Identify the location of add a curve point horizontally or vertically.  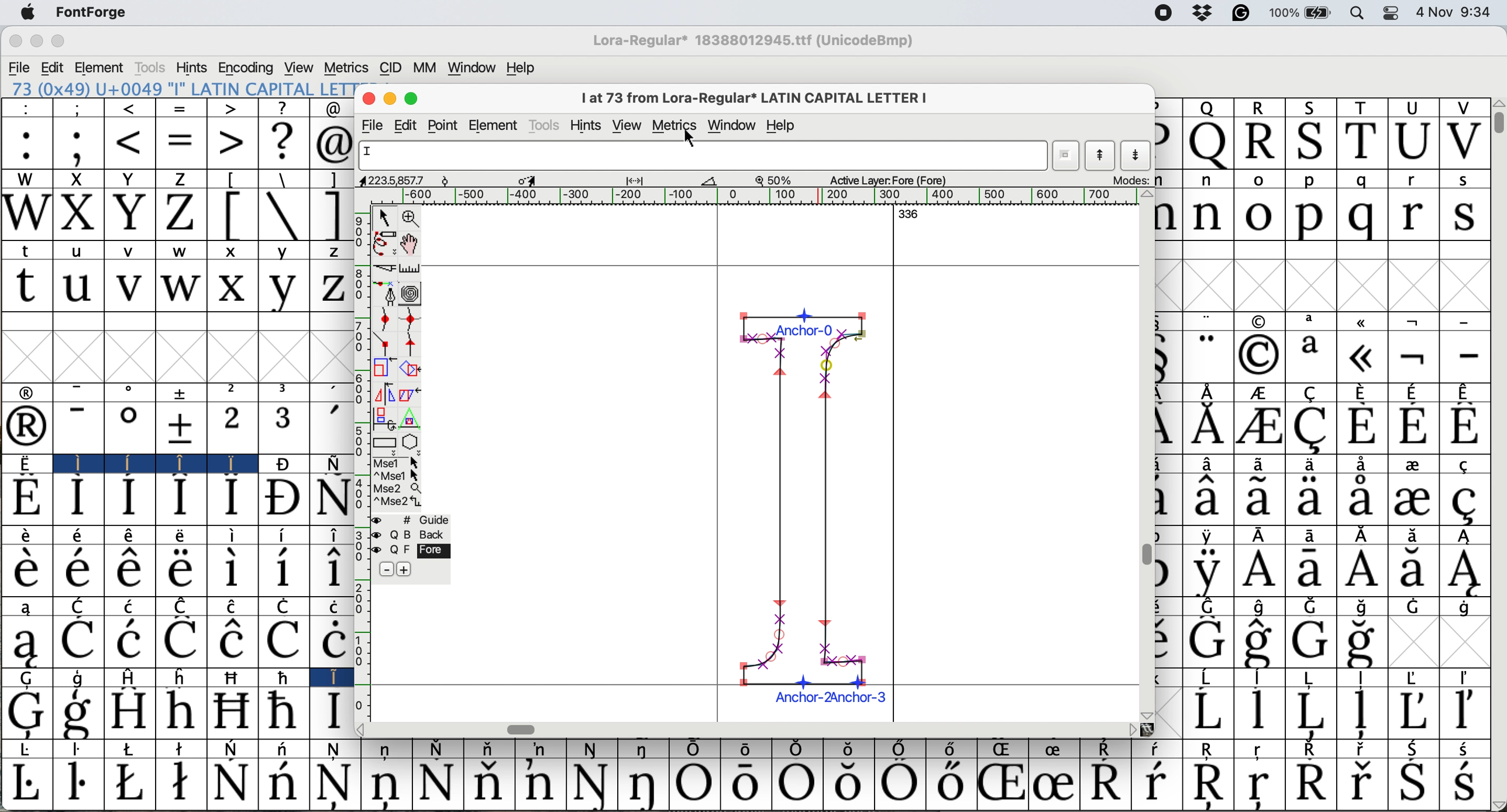
(410, 319).